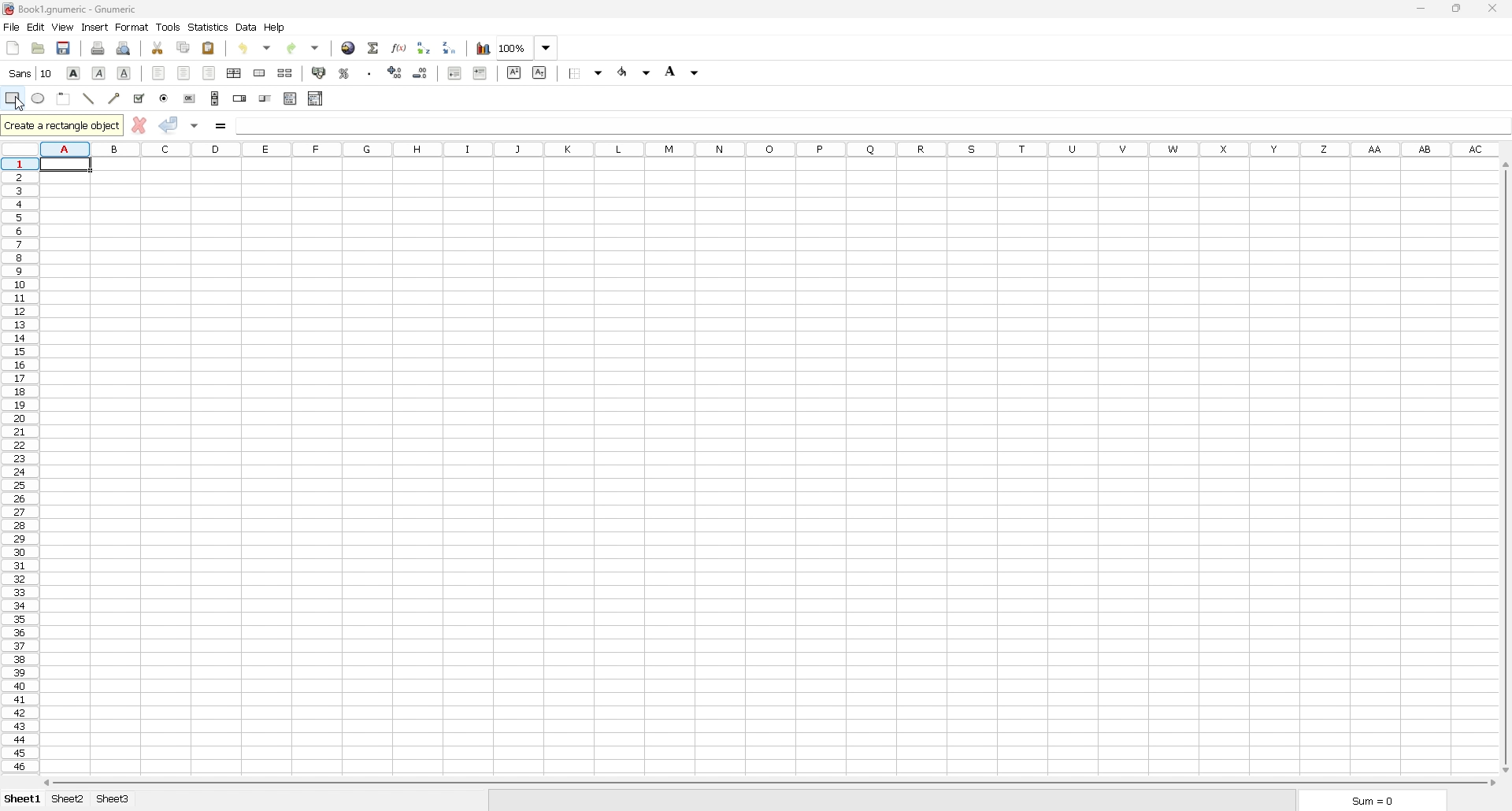 The height and width of the screenshot is (811, 1512). What do you see at coordinates (209, 73) in the screenshot?
I see `right align` at bounding box center [209, 73].